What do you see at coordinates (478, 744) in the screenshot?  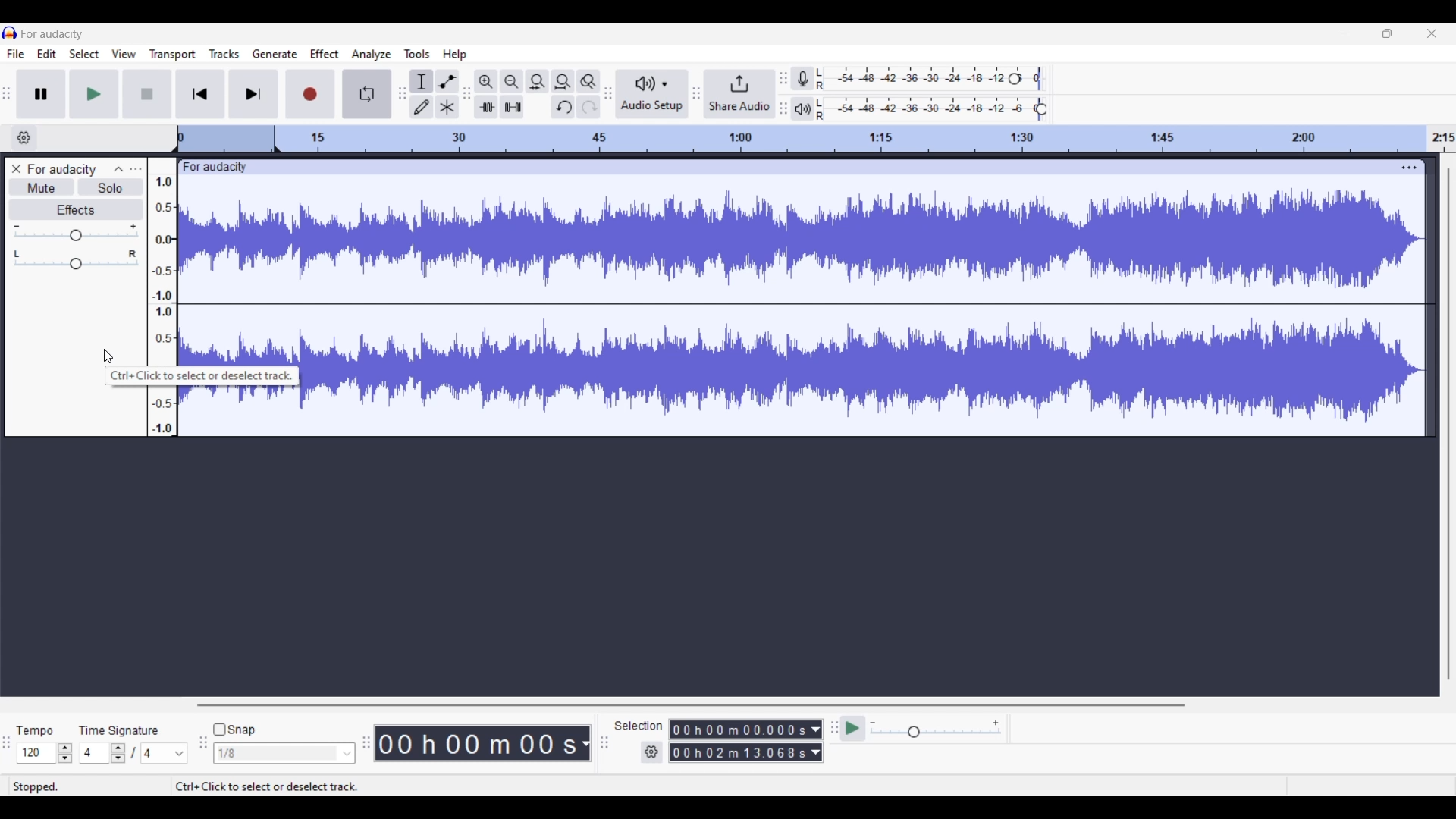 I see `Duration of recorded audio` at bounding box center [478, 744].